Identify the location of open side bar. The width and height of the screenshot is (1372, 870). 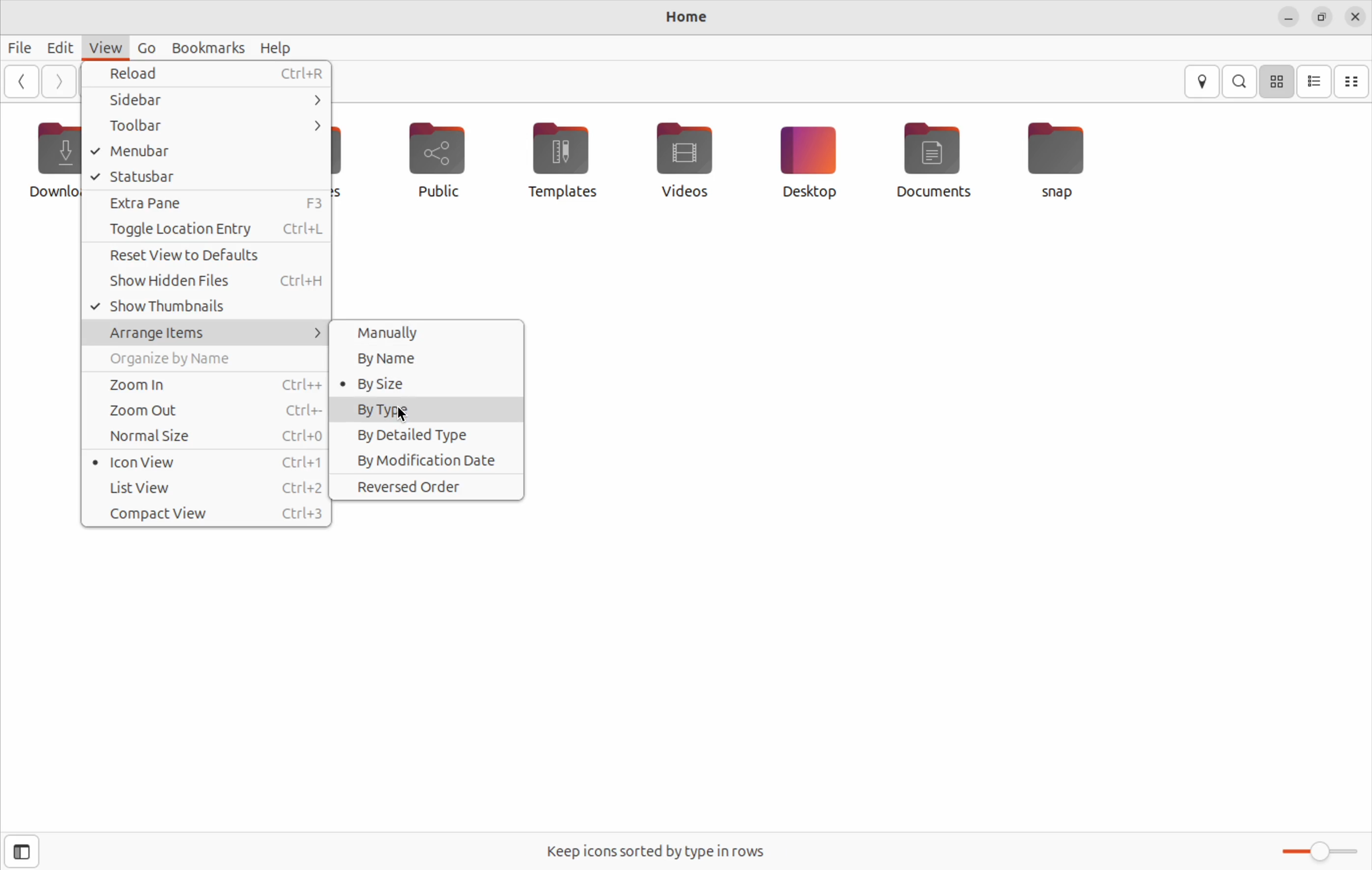
(22, 852).